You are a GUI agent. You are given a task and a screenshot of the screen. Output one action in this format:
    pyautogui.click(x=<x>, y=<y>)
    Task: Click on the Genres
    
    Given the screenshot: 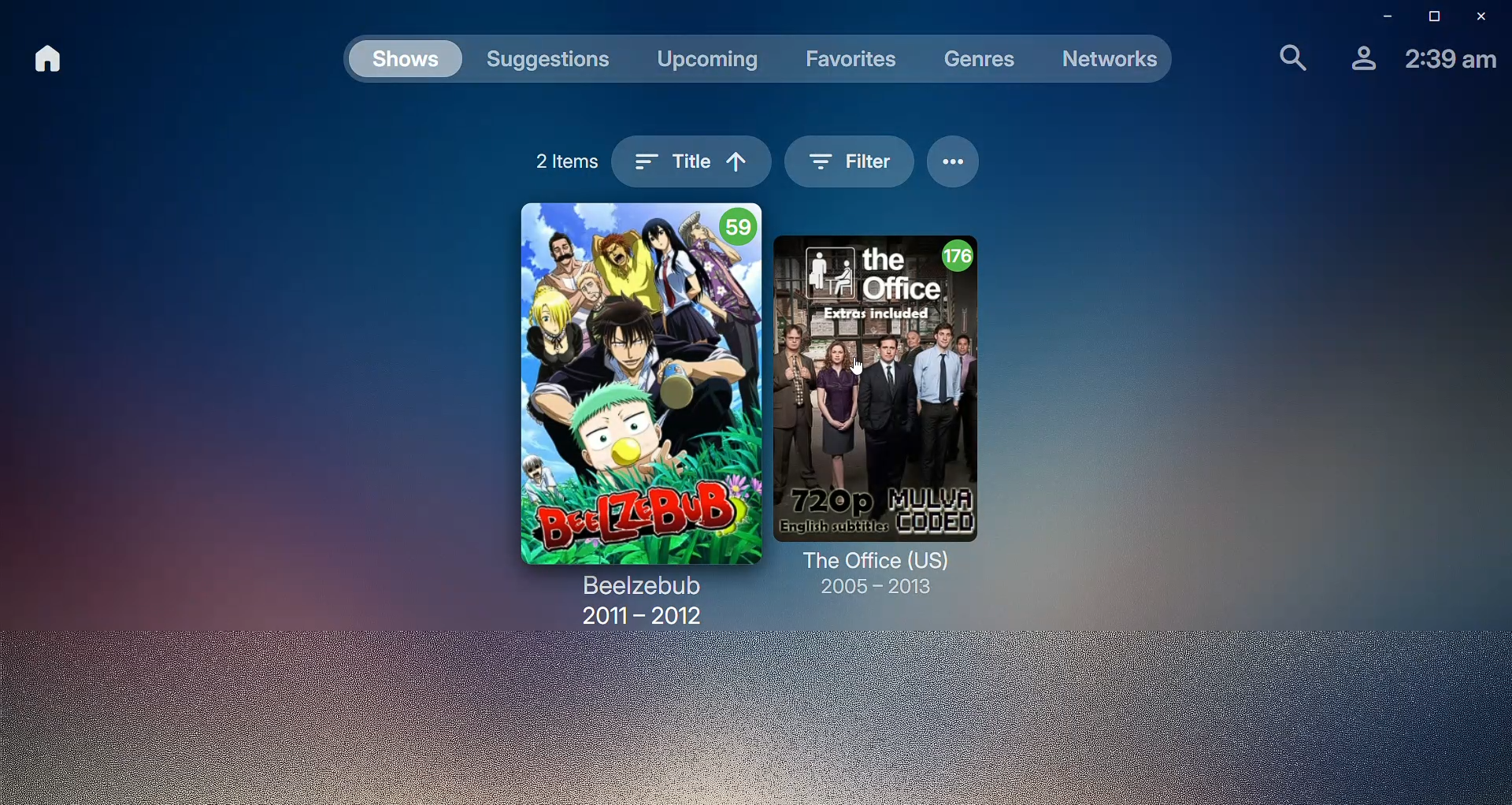 What is the action you would take?
    pyautogui.click(x=981, y=61)
    